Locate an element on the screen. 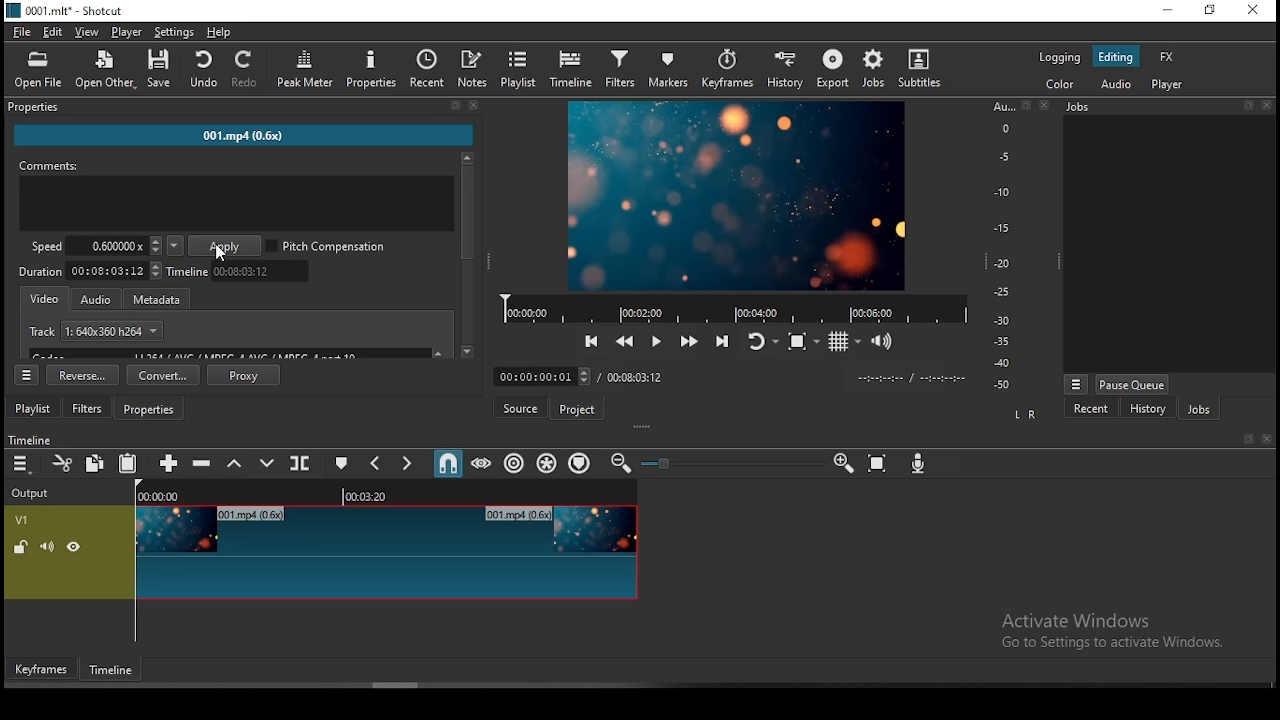 This screenshot has width=1280, height=720. ripple is located at coordinates (513, 462).